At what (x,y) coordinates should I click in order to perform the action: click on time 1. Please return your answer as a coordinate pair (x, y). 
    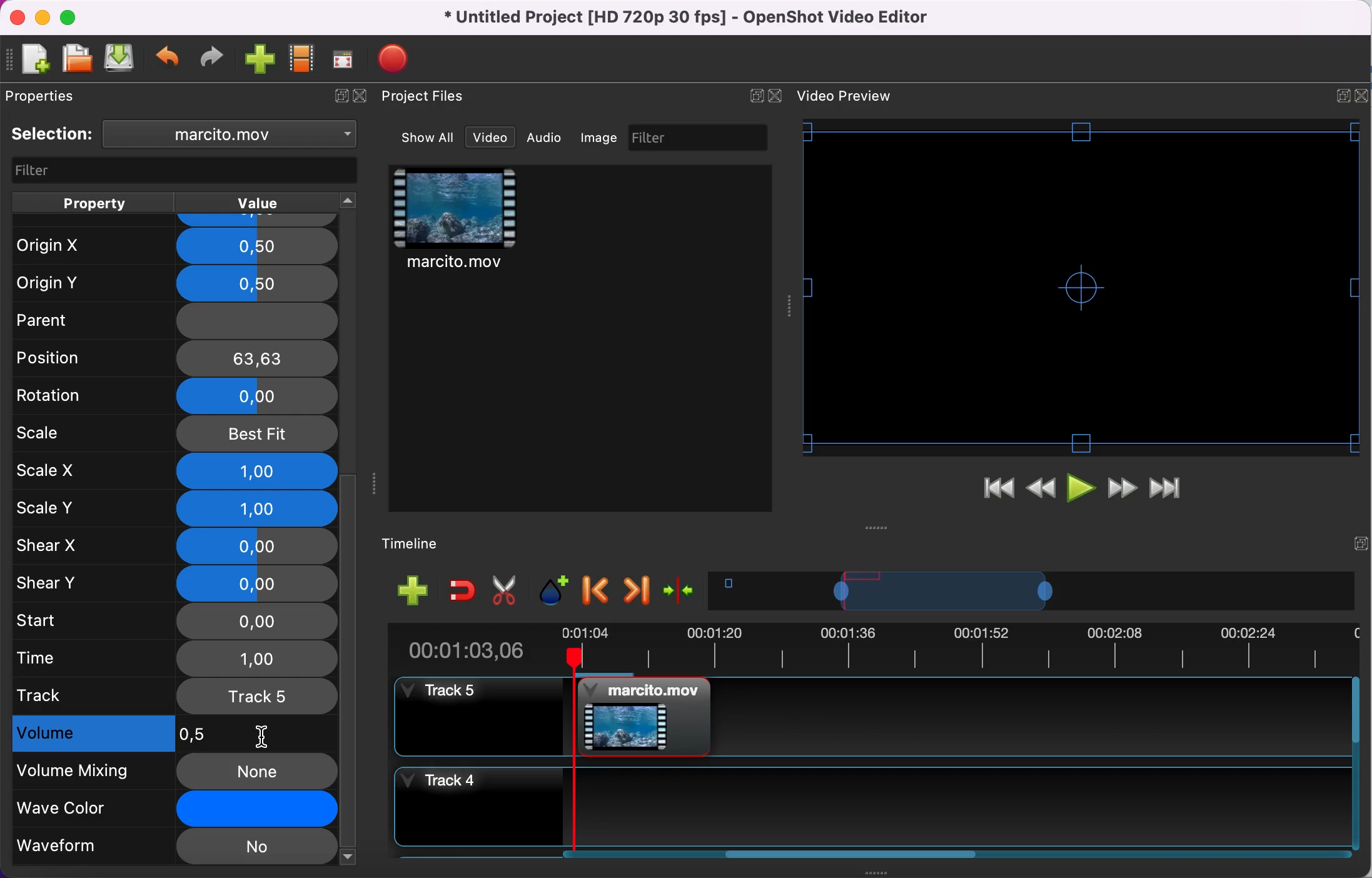
    Looking at the image, I should click on (178, 660).